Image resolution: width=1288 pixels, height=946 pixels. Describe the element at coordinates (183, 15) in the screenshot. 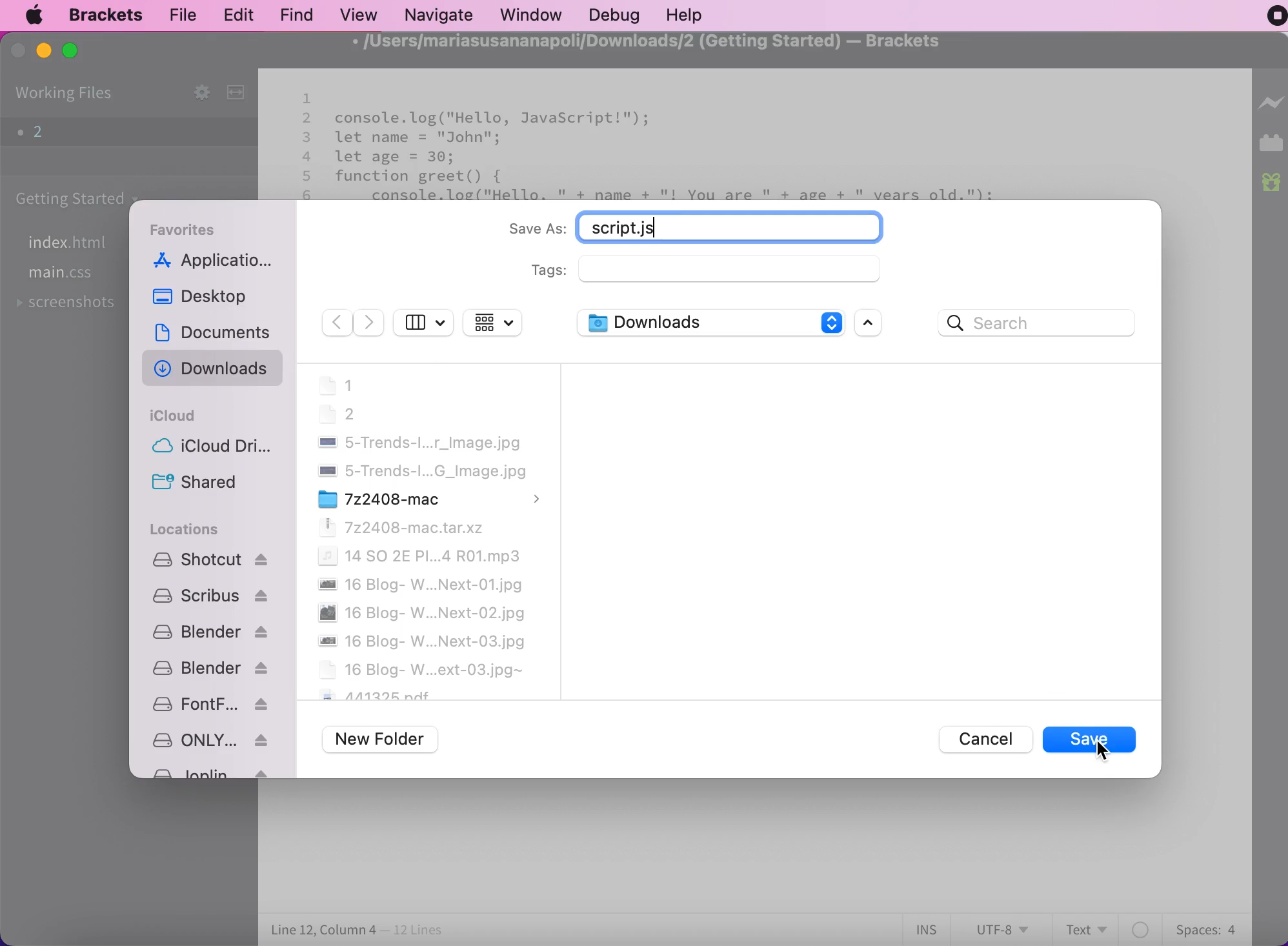

I see `file` at that location.